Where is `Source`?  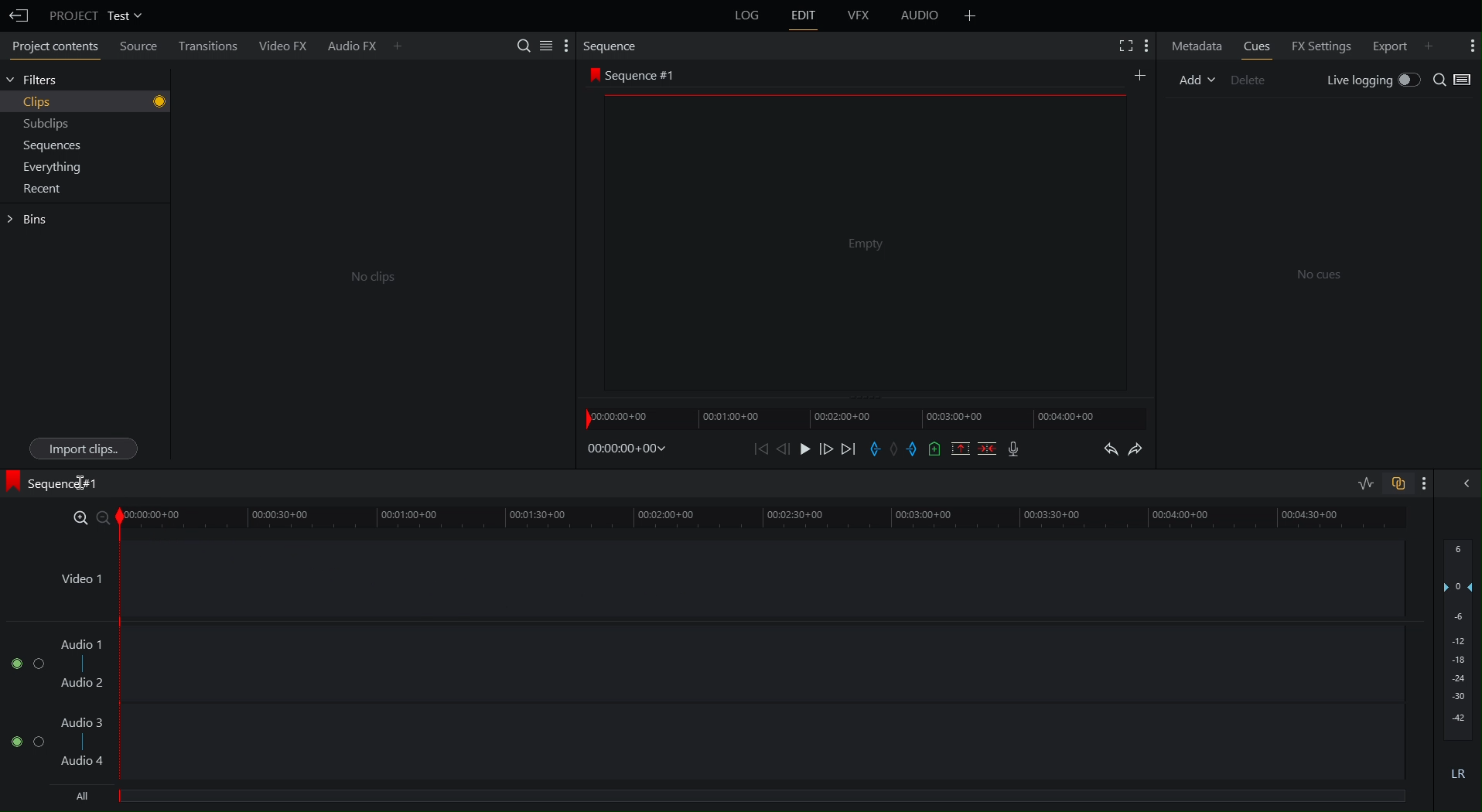 Source is located at coordinates (139, 47).